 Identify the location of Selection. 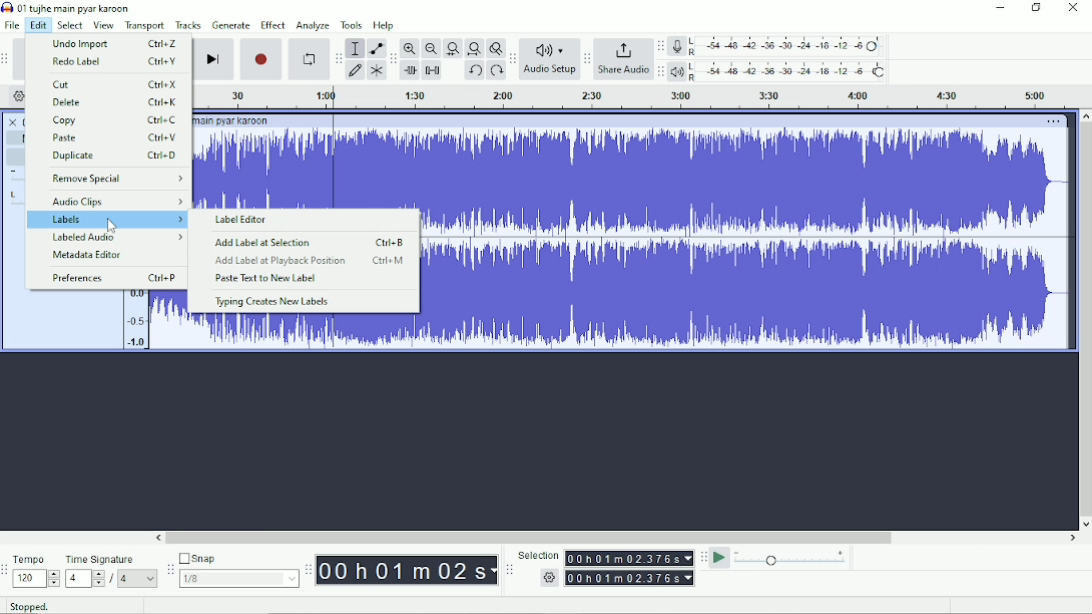
(606, 568).